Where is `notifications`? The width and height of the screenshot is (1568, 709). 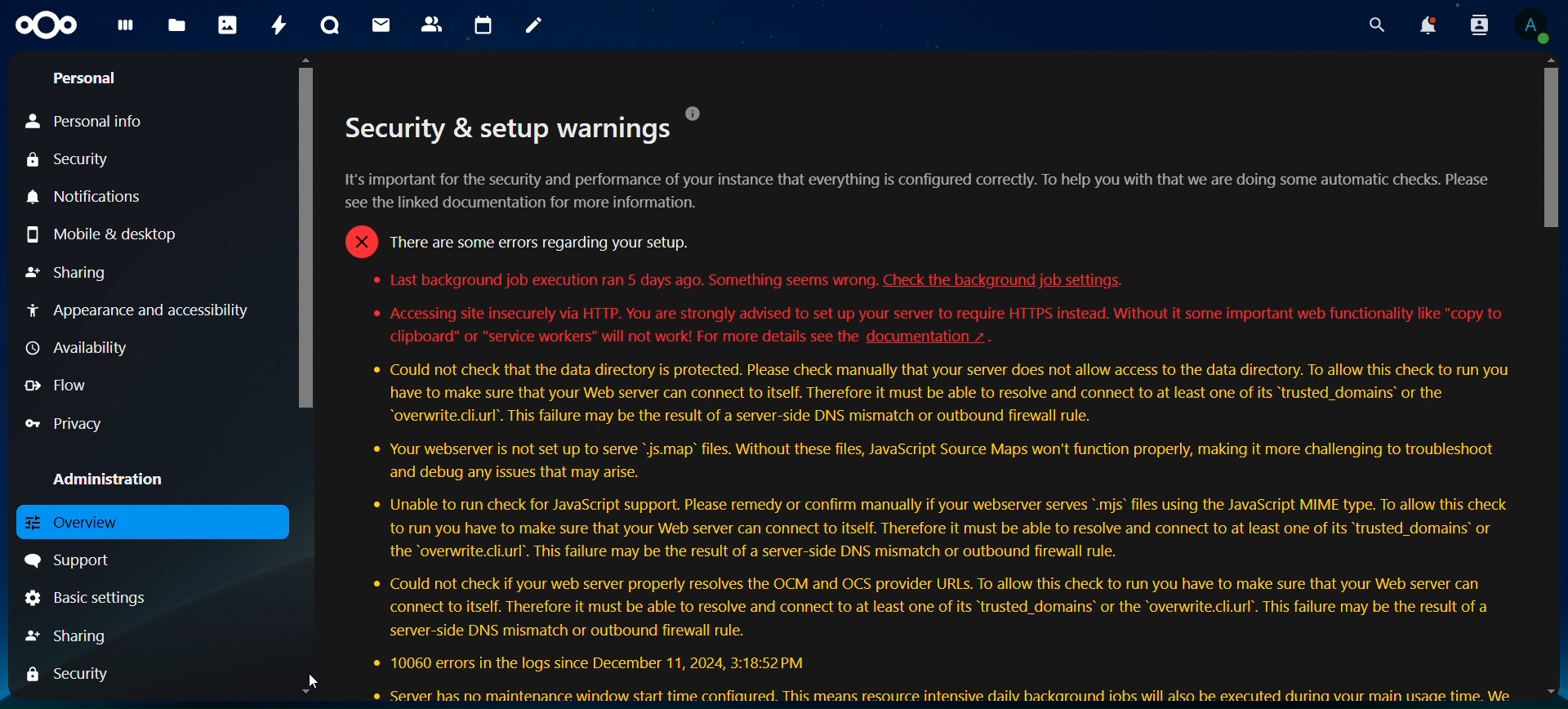
notifications is located at coordinates (106, 197).